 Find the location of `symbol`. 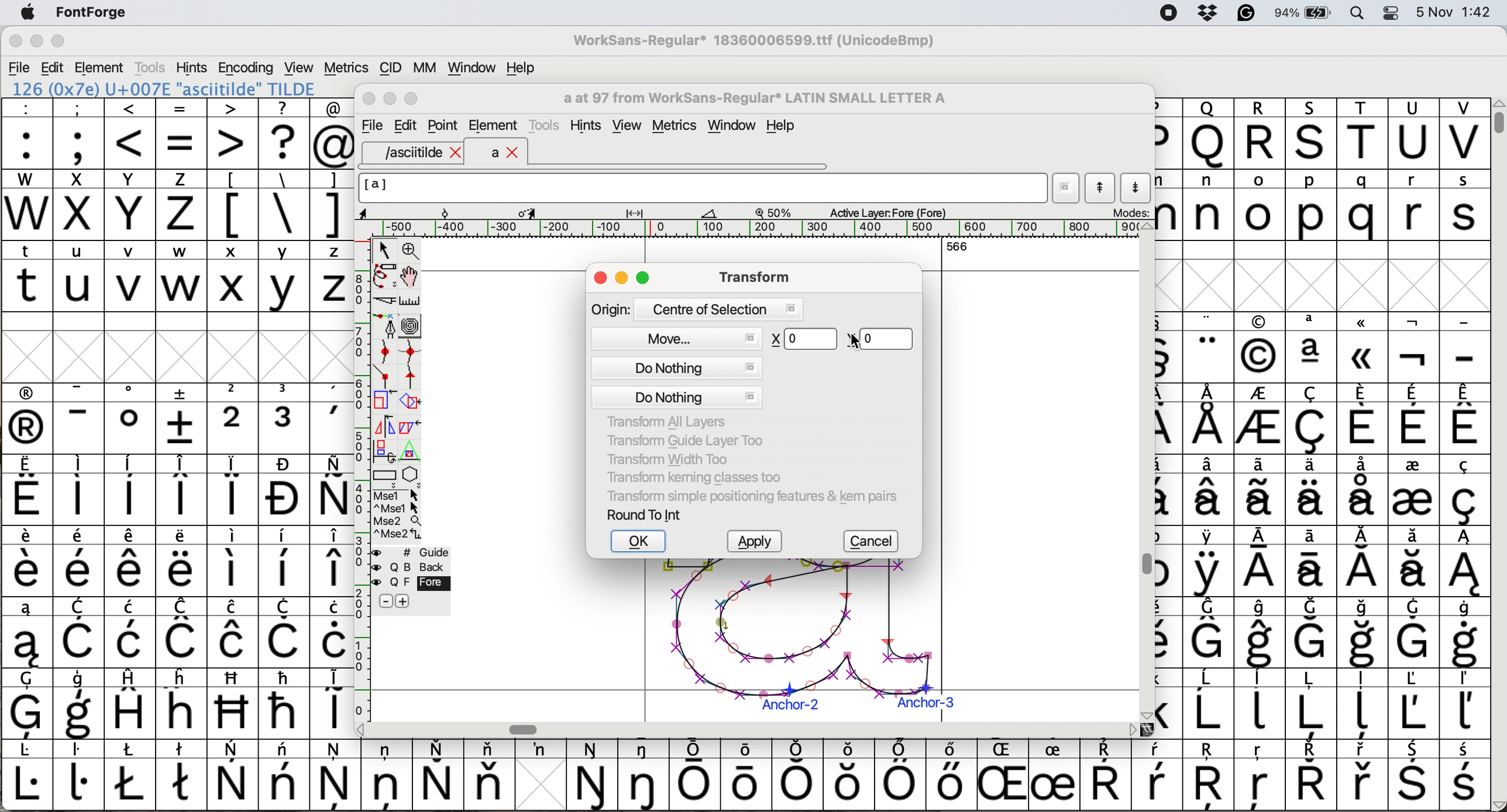

symbol is located at coordinates (80, 419).